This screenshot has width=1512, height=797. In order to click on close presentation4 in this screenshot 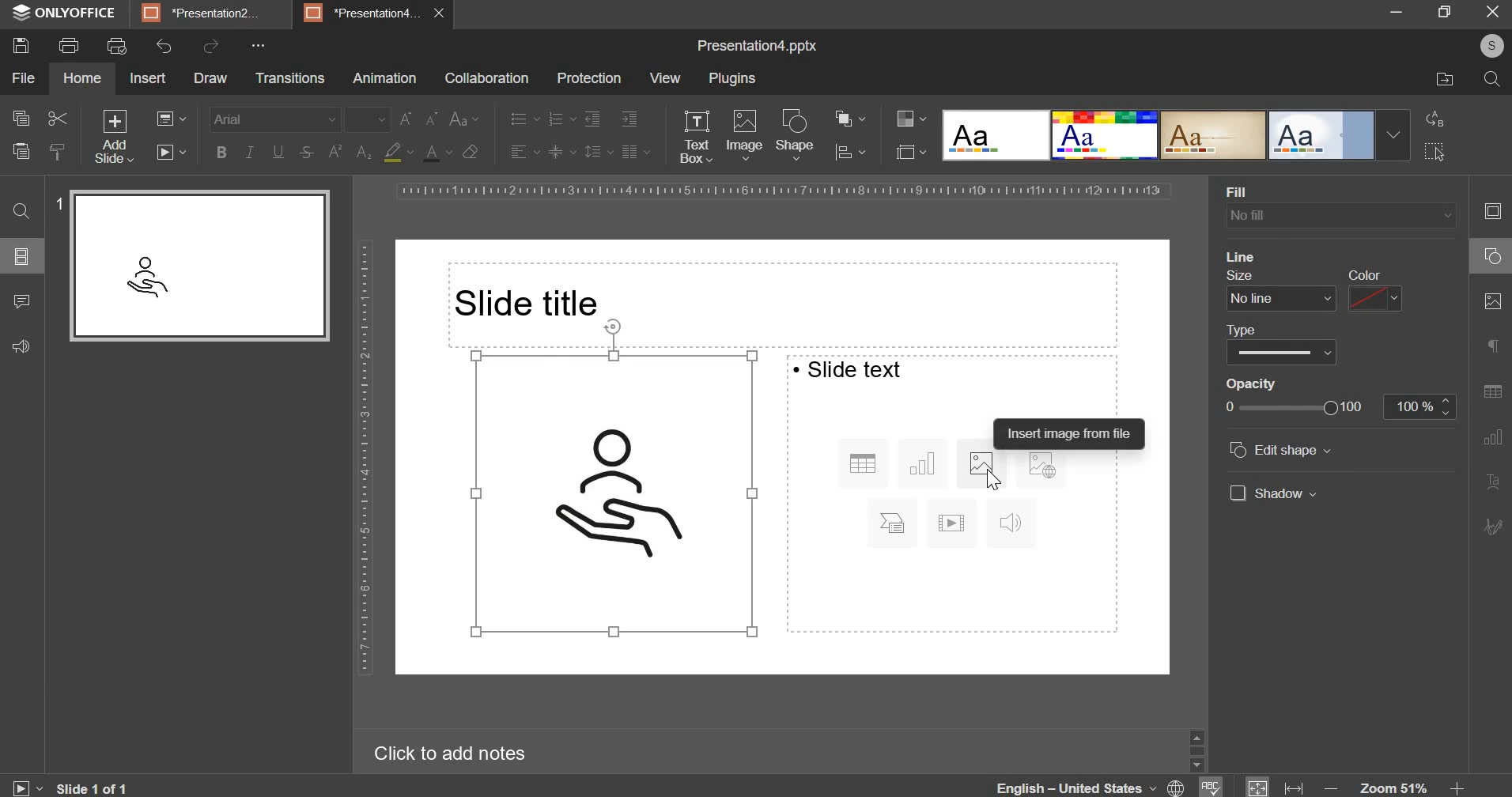, I will do `click(444, 13)`.